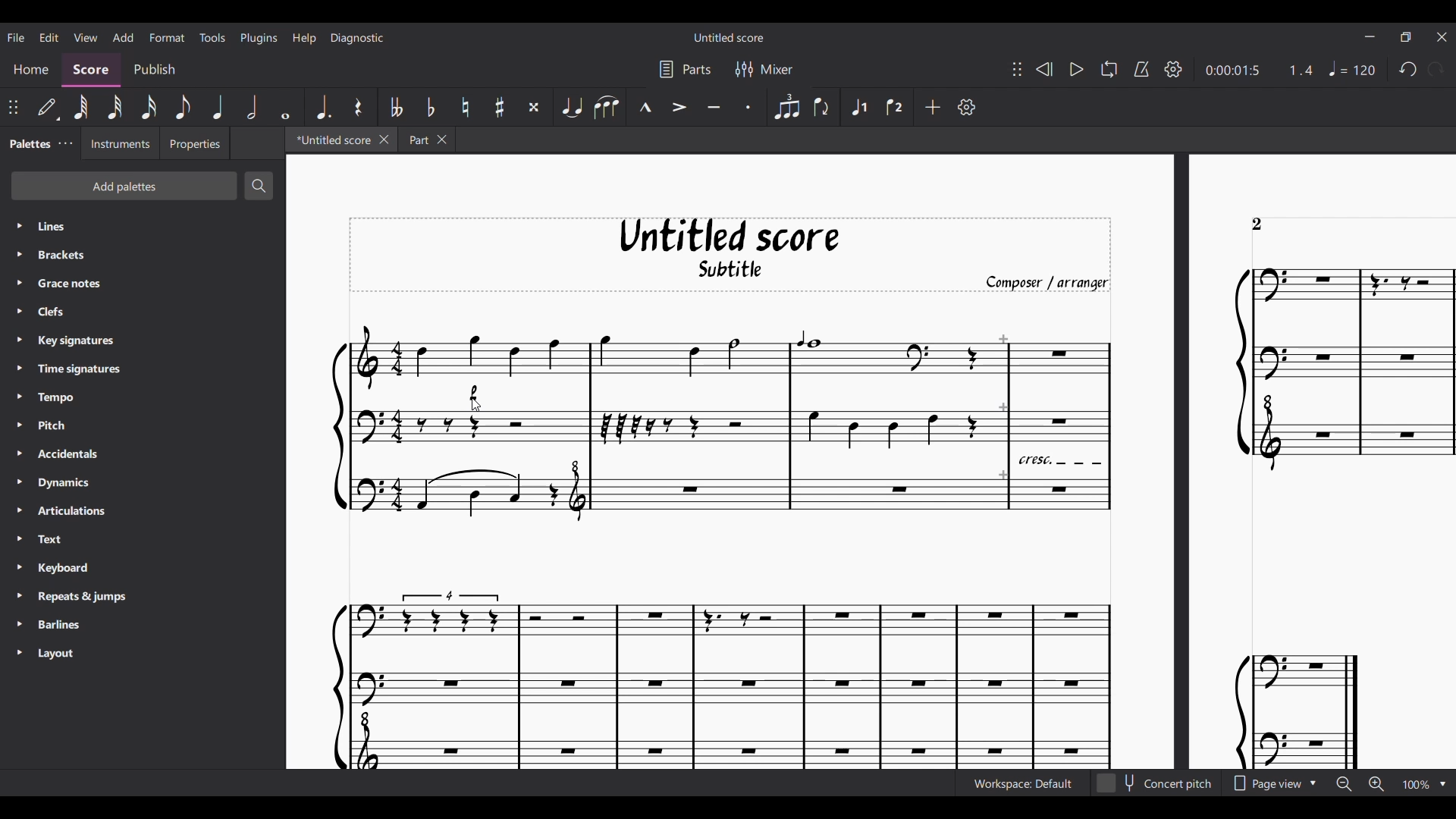 This screenshot has height=819, width=1456. What do you see at coordinates (967, 107) in the screenshot?
I see `Customize toolbar` at bounding box center [967, 107].